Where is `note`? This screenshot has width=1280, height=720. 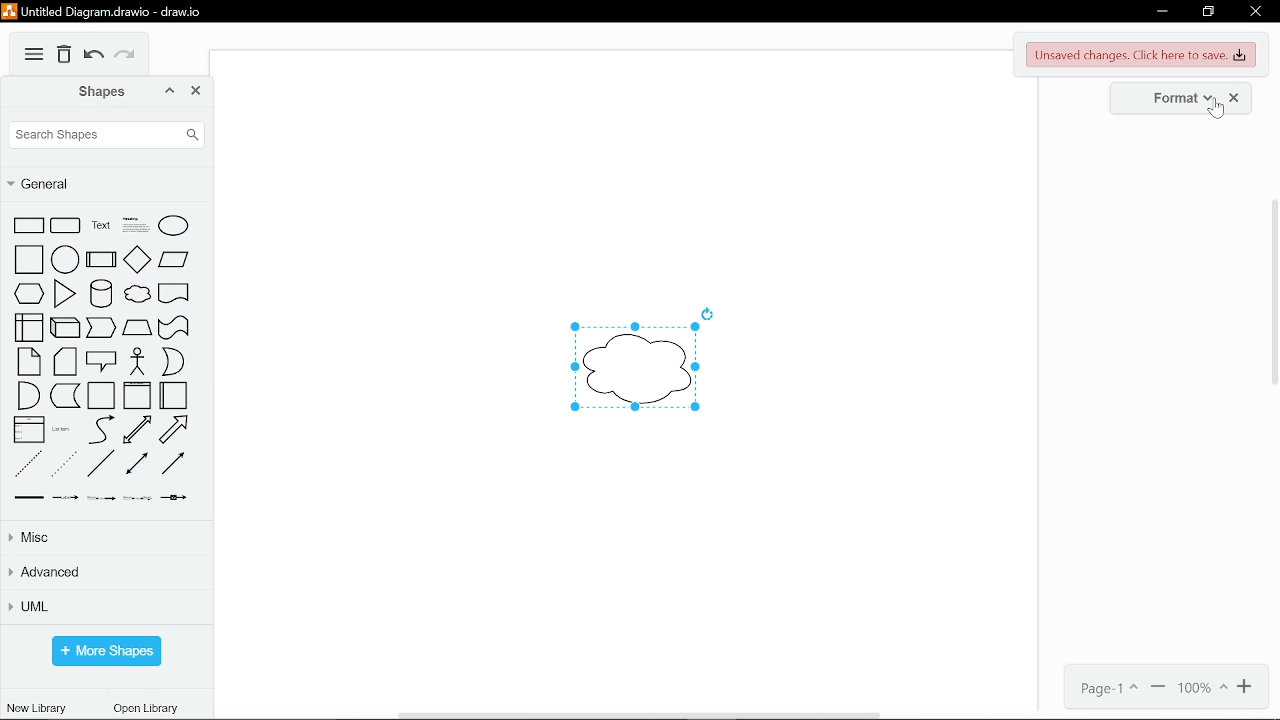
note is located at coordinates (28, 362).